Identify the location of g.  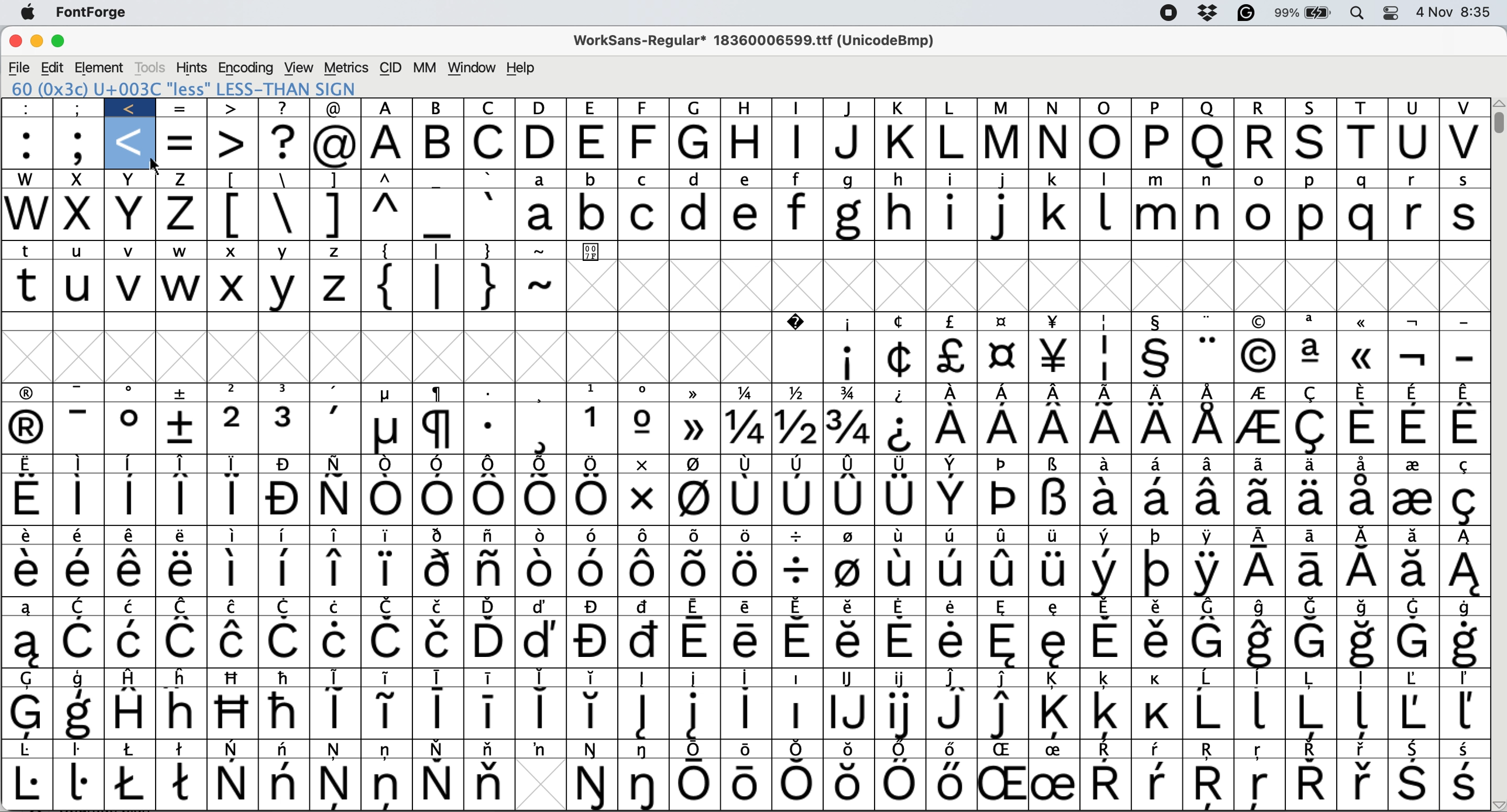
(848, 181).